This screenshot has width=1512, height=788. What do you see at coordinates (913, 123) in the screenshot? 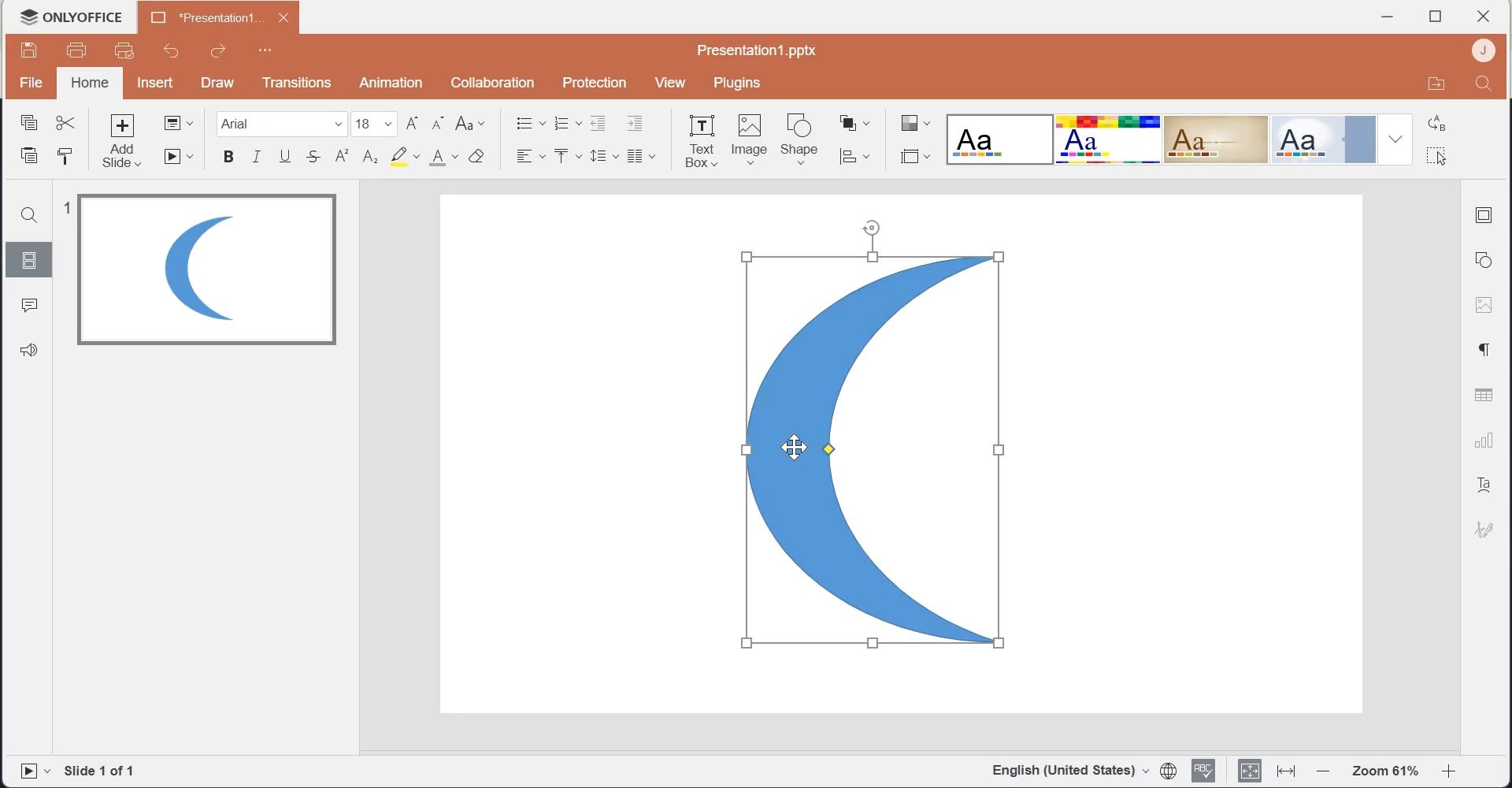
I see `Change color theme` at bounding box center [913, 123].